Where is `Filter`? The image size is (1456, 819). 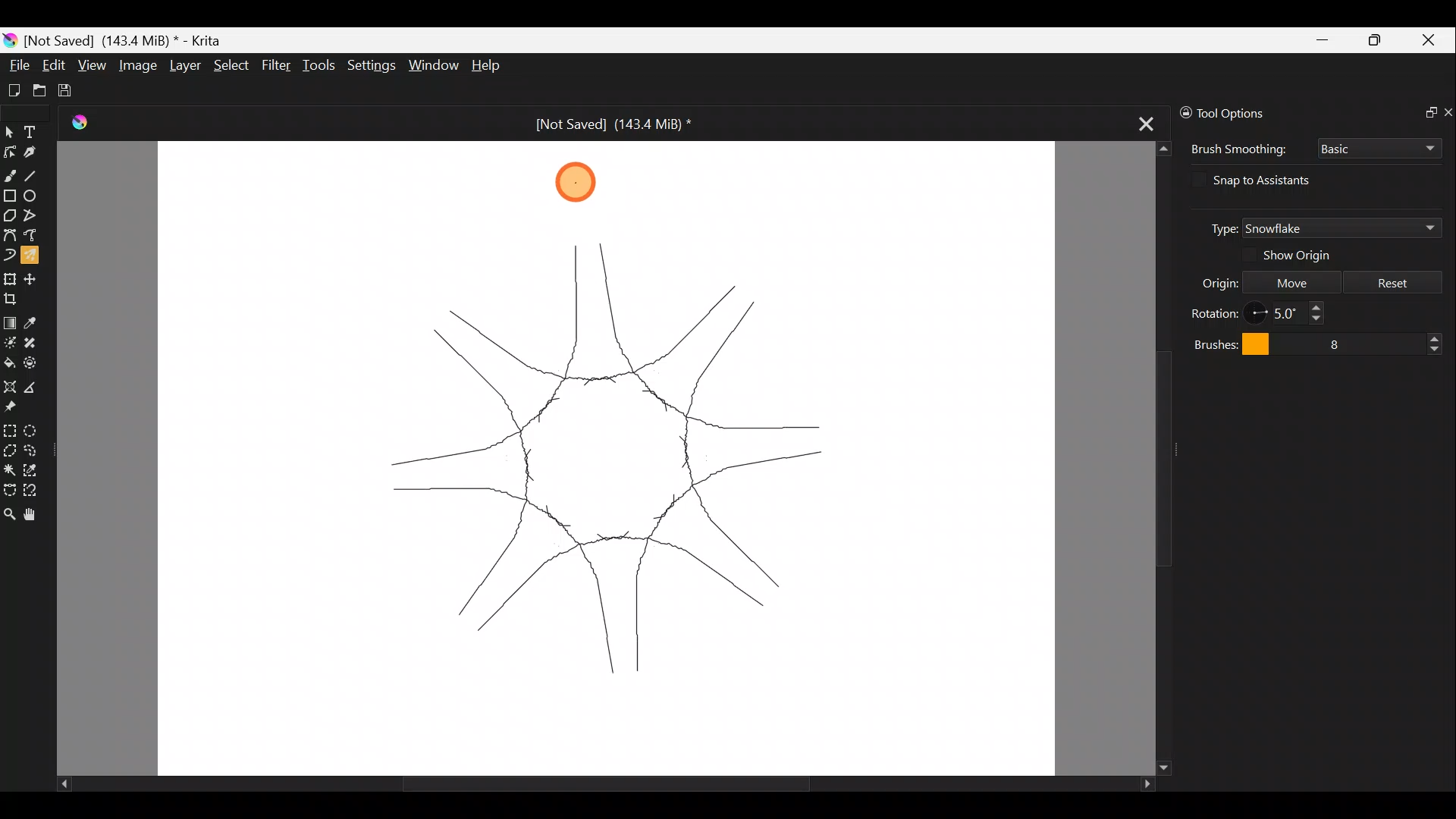
Filter is located at coordinates (279, 66).